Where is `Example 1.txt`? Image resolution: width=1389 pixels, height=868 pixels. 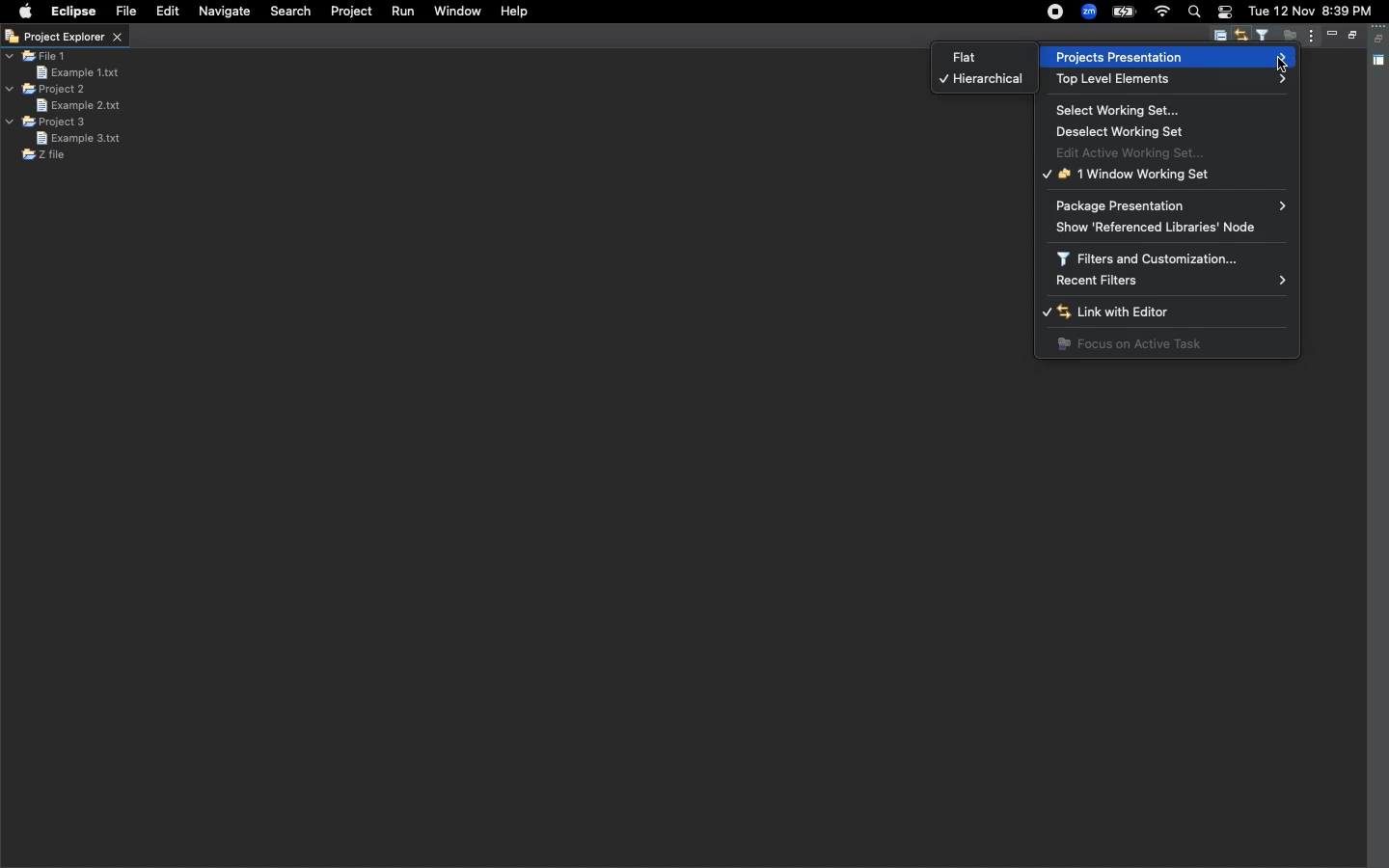 Example 1.txt is located at coordinates (77, 71).